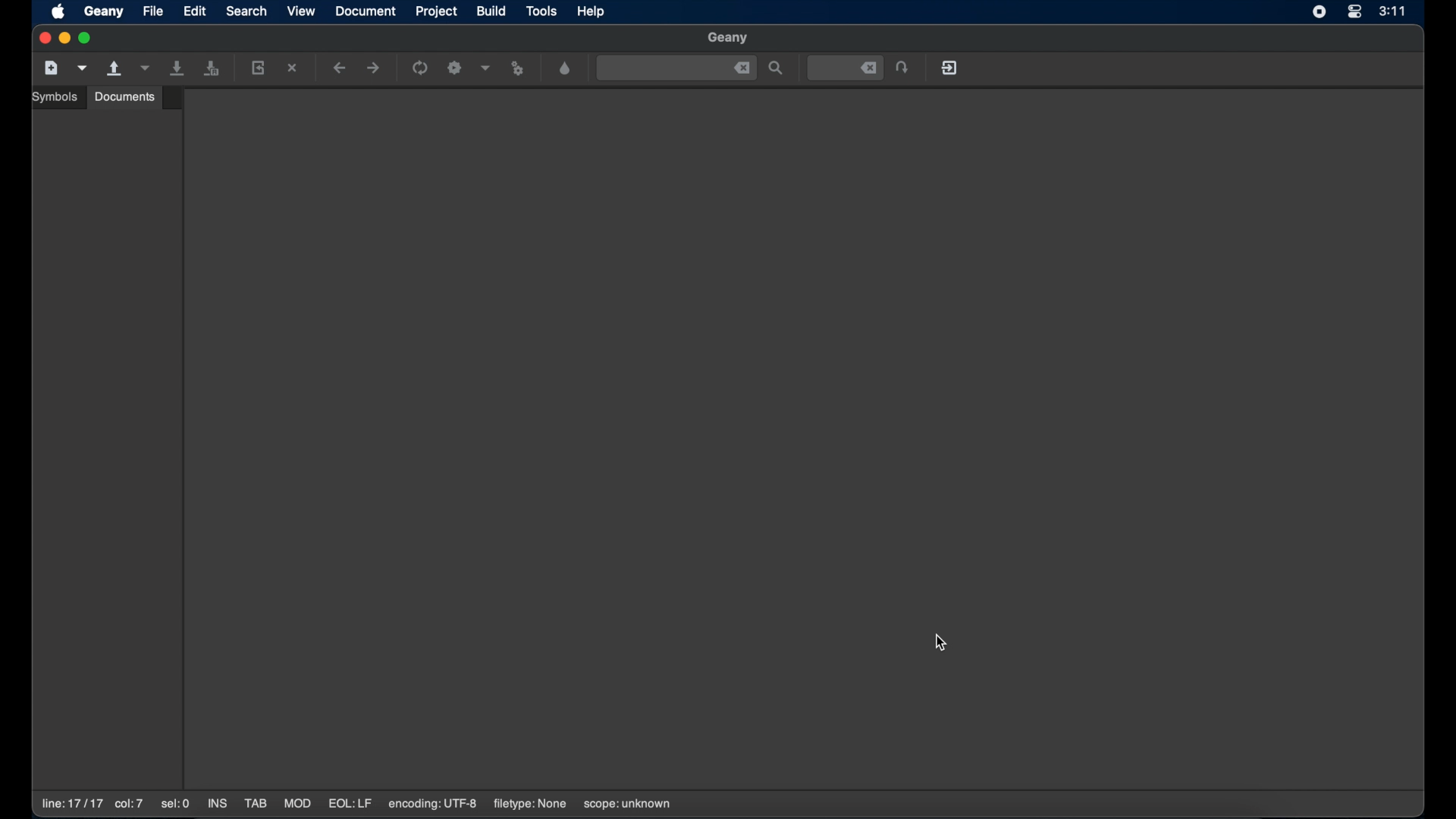 This screenshot has height=819, width=1456. Describe the element at coordinates (256, 804) in the screenshot. I see `TAB` at that location.